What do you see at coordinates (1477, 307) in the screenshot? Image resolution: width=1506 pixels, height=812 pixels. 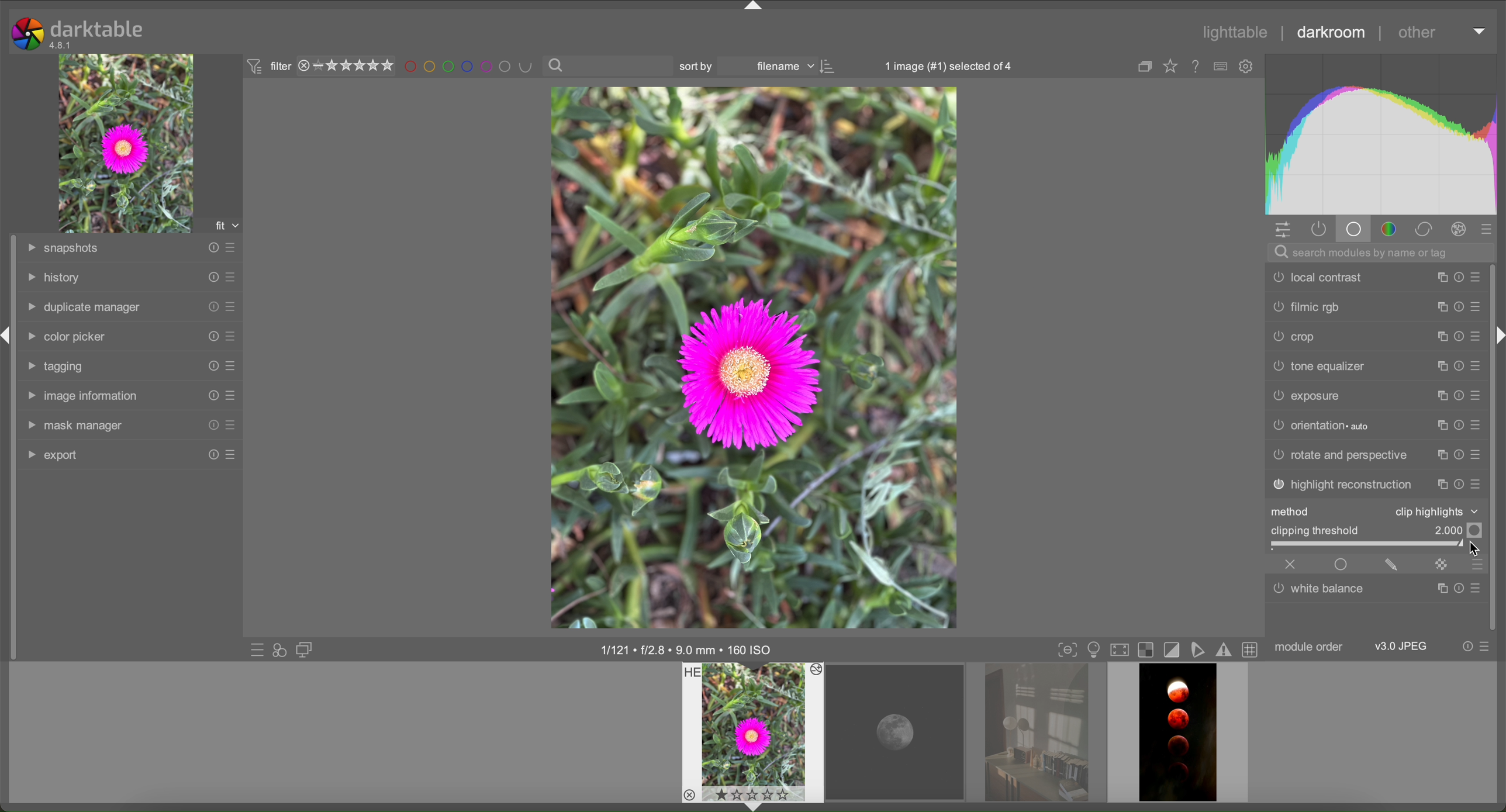 I see `presets` at bounding box center [1477, 307].